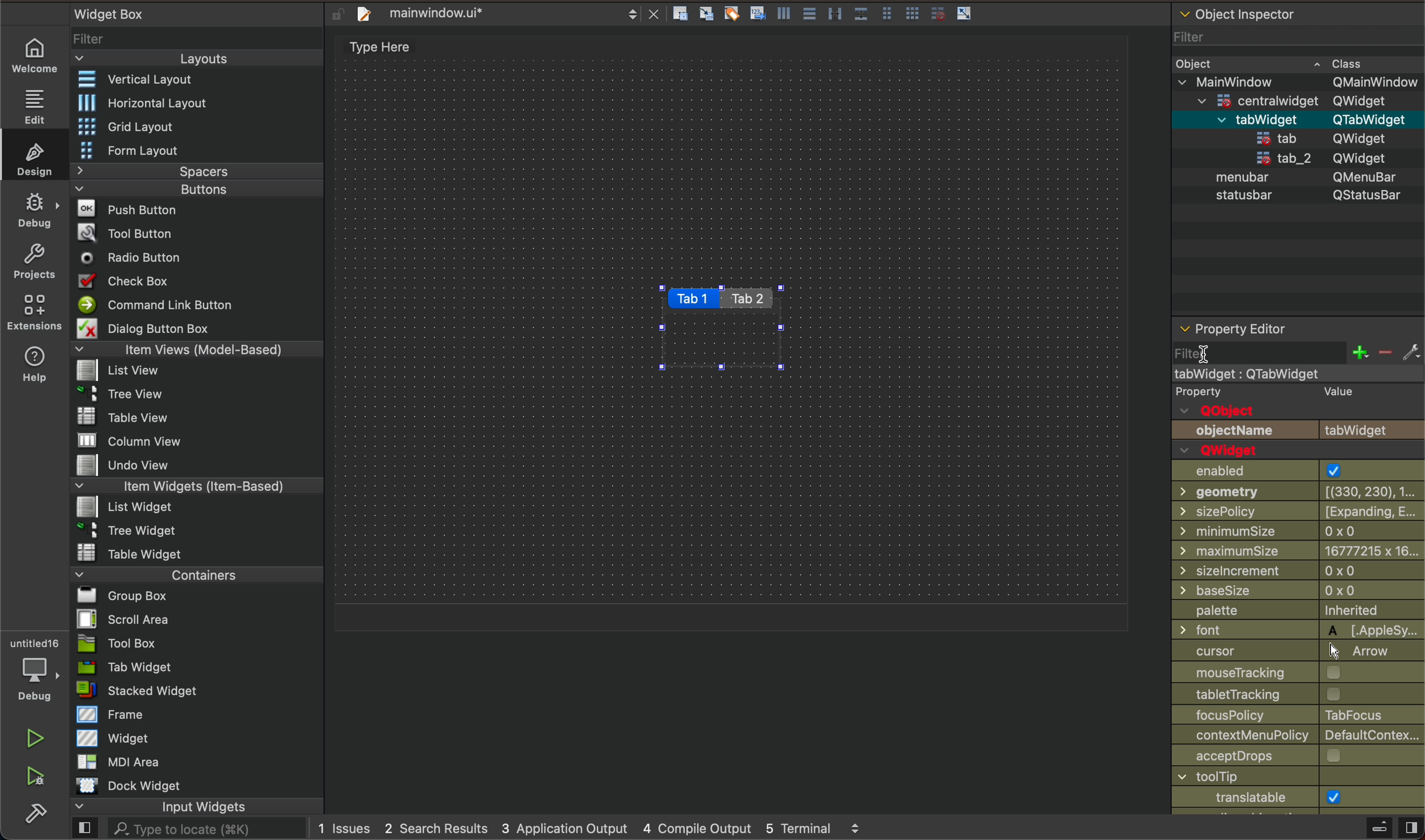 This screenshot has height=840, width=1425. Describe the element at coordinates (1299, 777) in the screenshot. I see `window title` at that location.